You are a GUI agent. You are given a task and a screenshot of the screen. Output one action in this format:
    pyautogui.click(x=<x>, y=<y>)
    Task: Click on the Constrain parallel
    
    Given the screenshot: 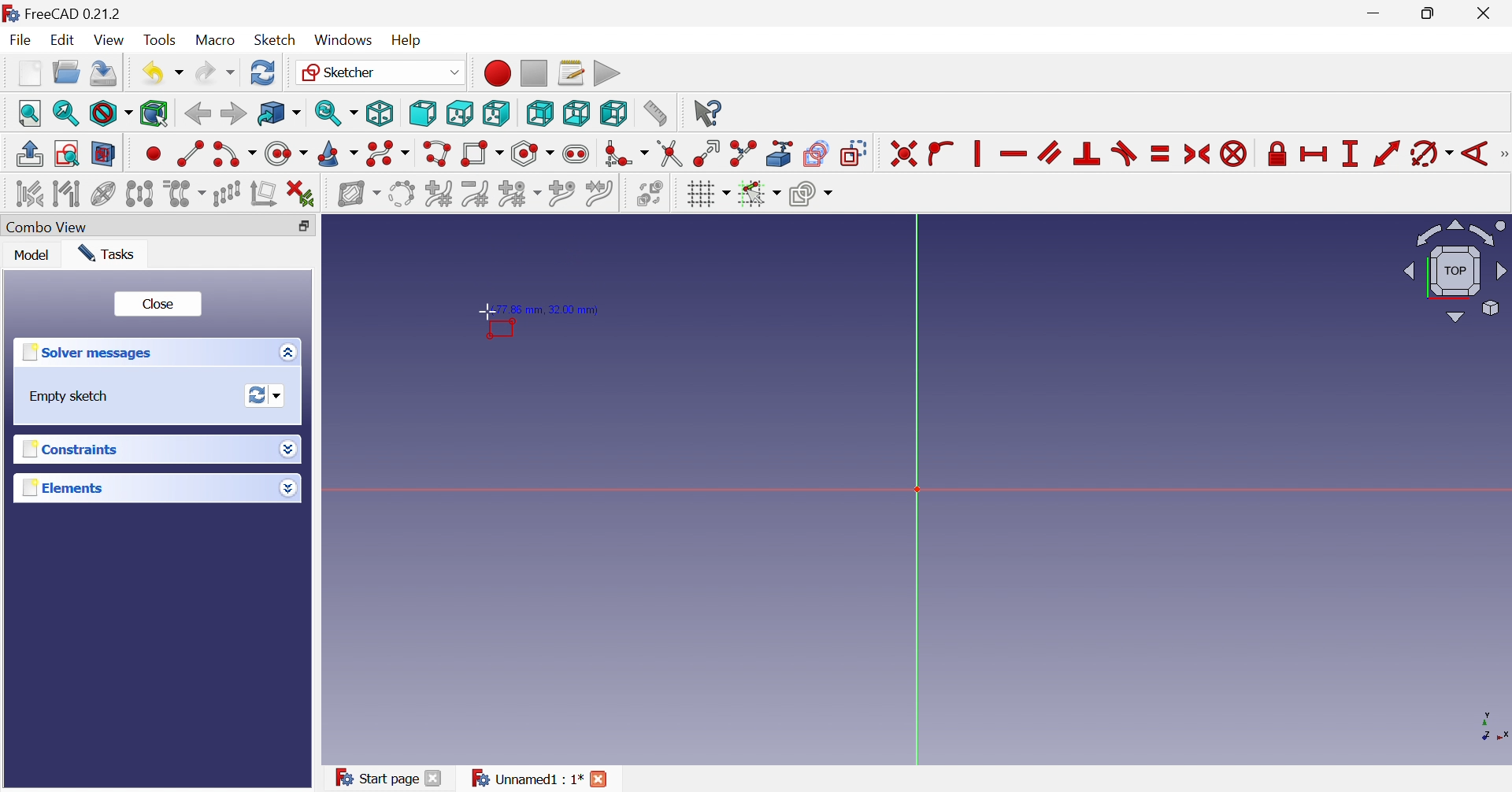 What is the action you would take?
    pyautogui.click(x=1049, y=152)
    